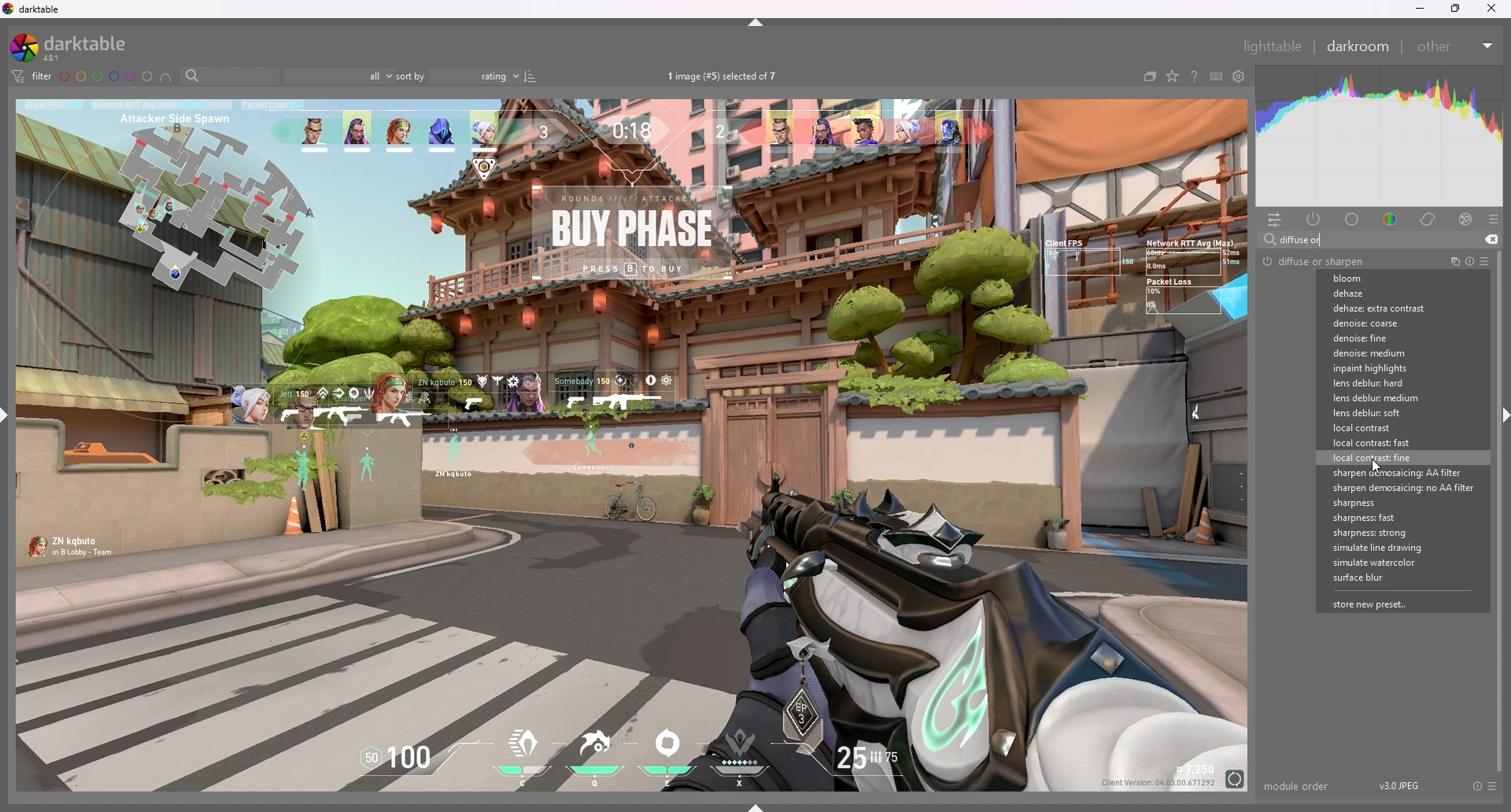 The height and width of the screenshot is (812, 1511). Describe the element at coordinates (77, 46) in the screenshot. I see `darktable` at that location.